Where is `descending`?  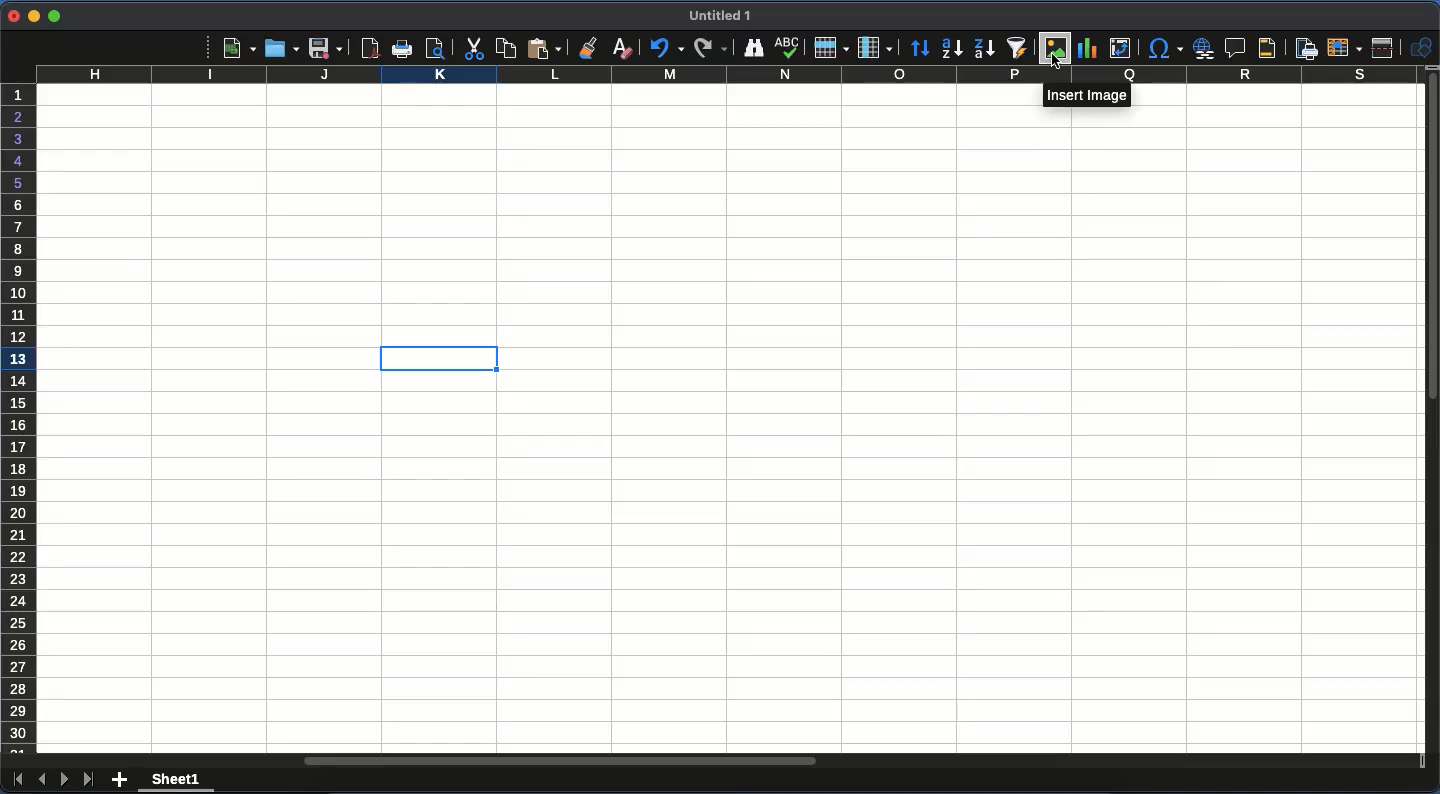 descending is located at coordinates (982, 49).